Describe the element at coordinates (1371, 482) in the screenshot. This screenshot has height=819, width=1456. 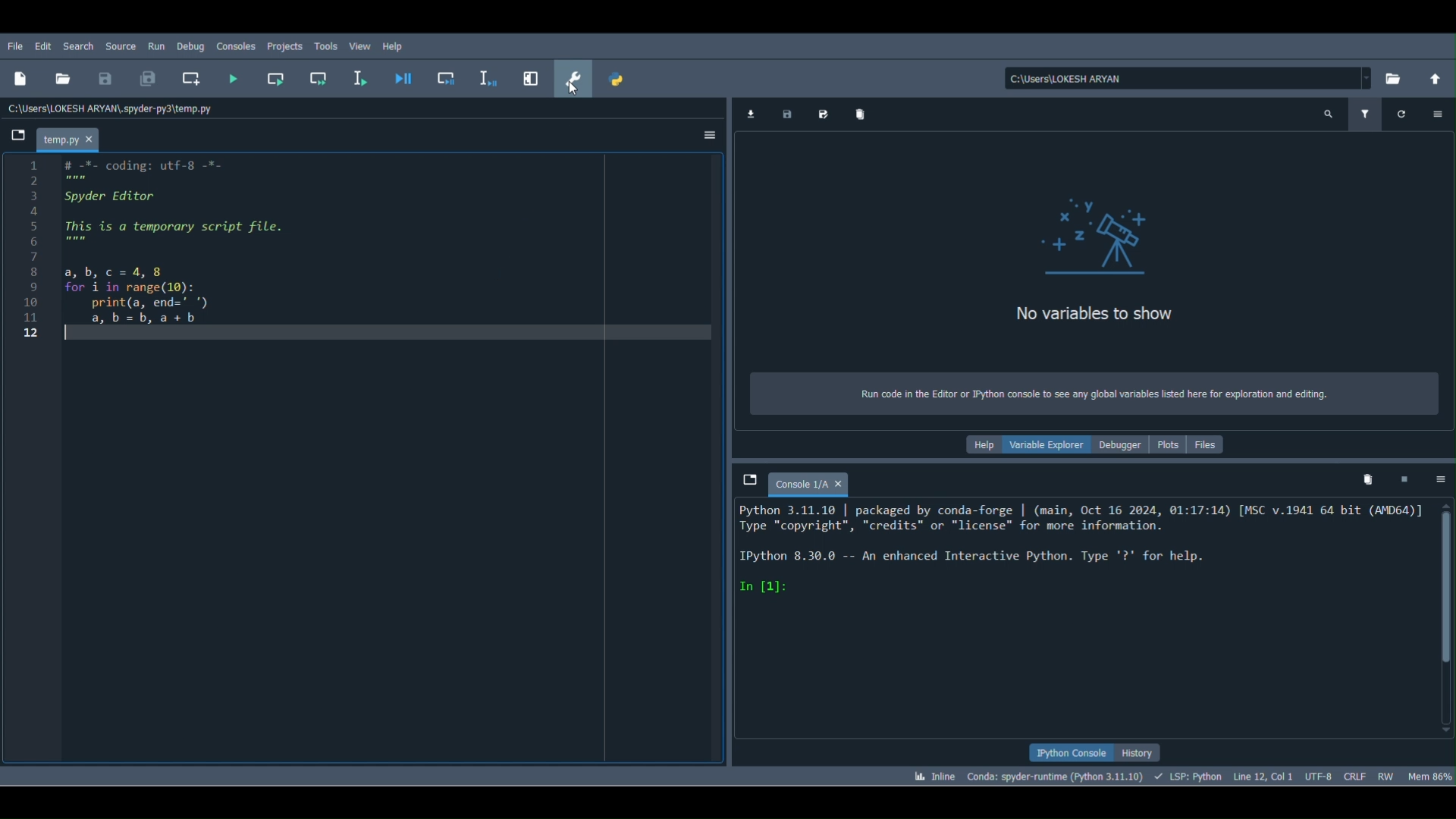
I see `Remove all variables from namespace` at that location.